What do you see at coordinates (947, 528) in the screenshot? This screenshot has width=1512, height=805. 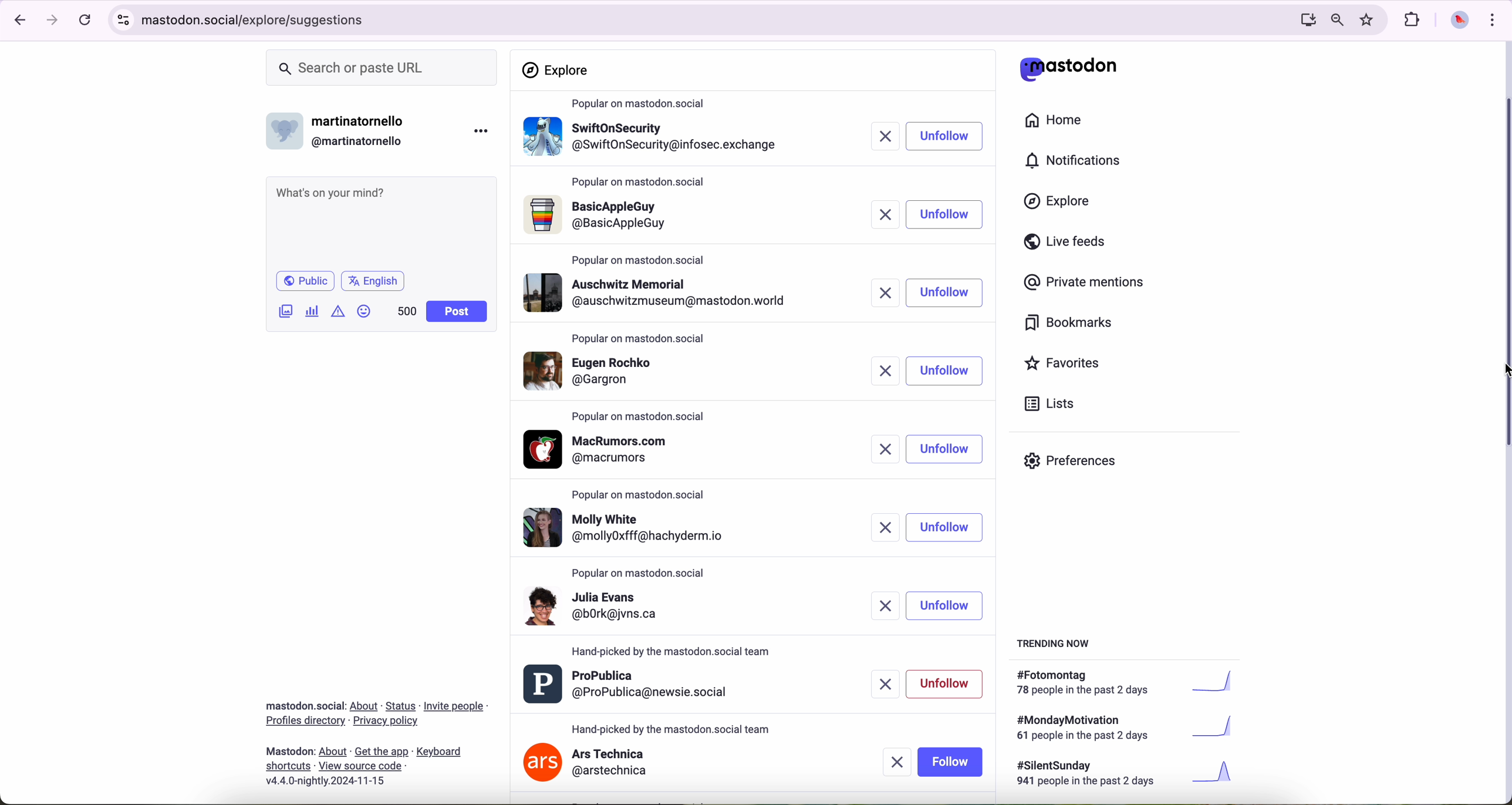 I see `unfollow` at bounding box center [947, 528].